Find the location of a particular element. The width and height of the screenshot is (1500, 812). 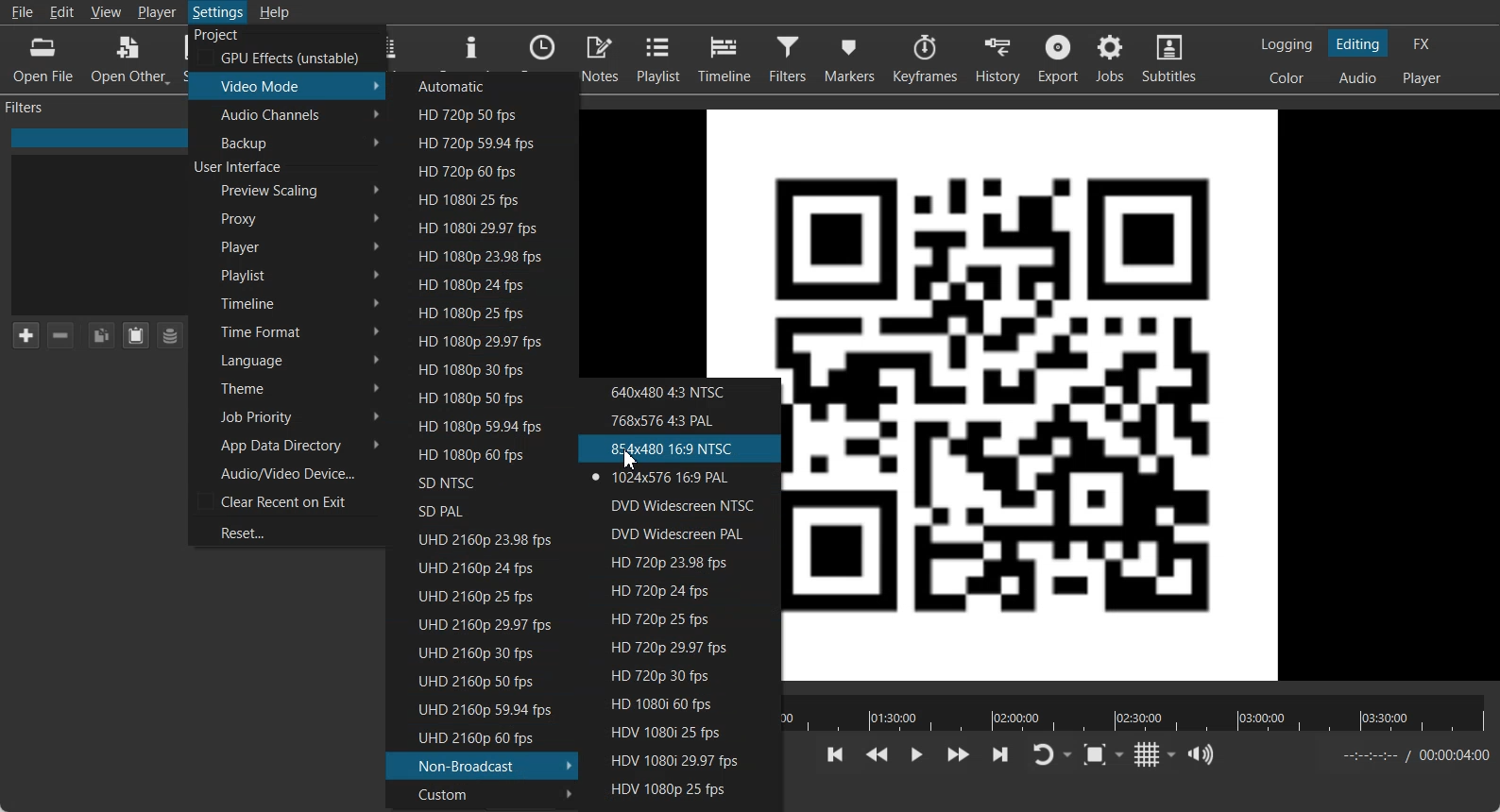

UHD 2160p 29.97 fps is located at coordinates (475, 624).